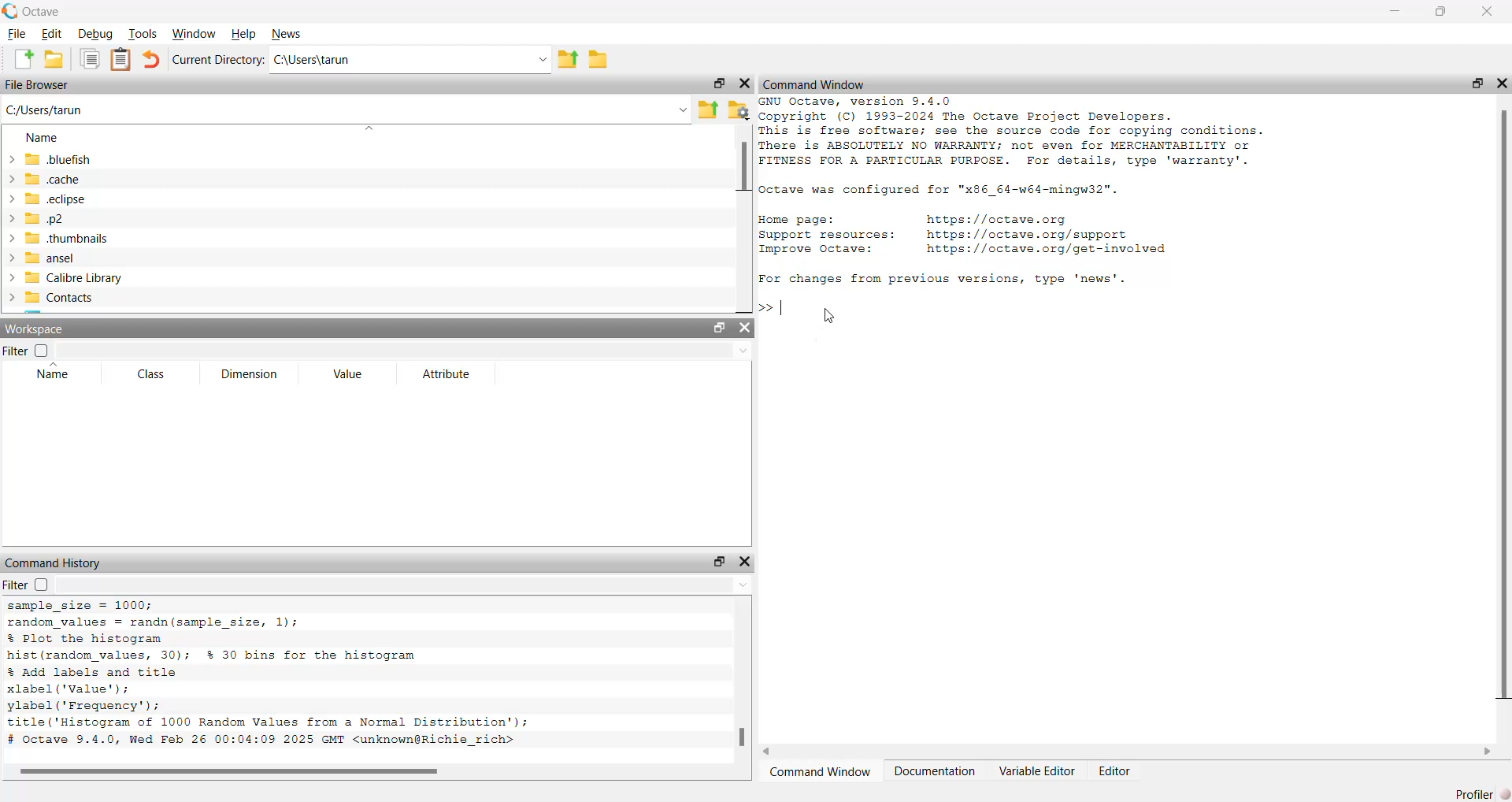 The image size is (1512, 802). I want to click on Folder settings, so click(738, 110).